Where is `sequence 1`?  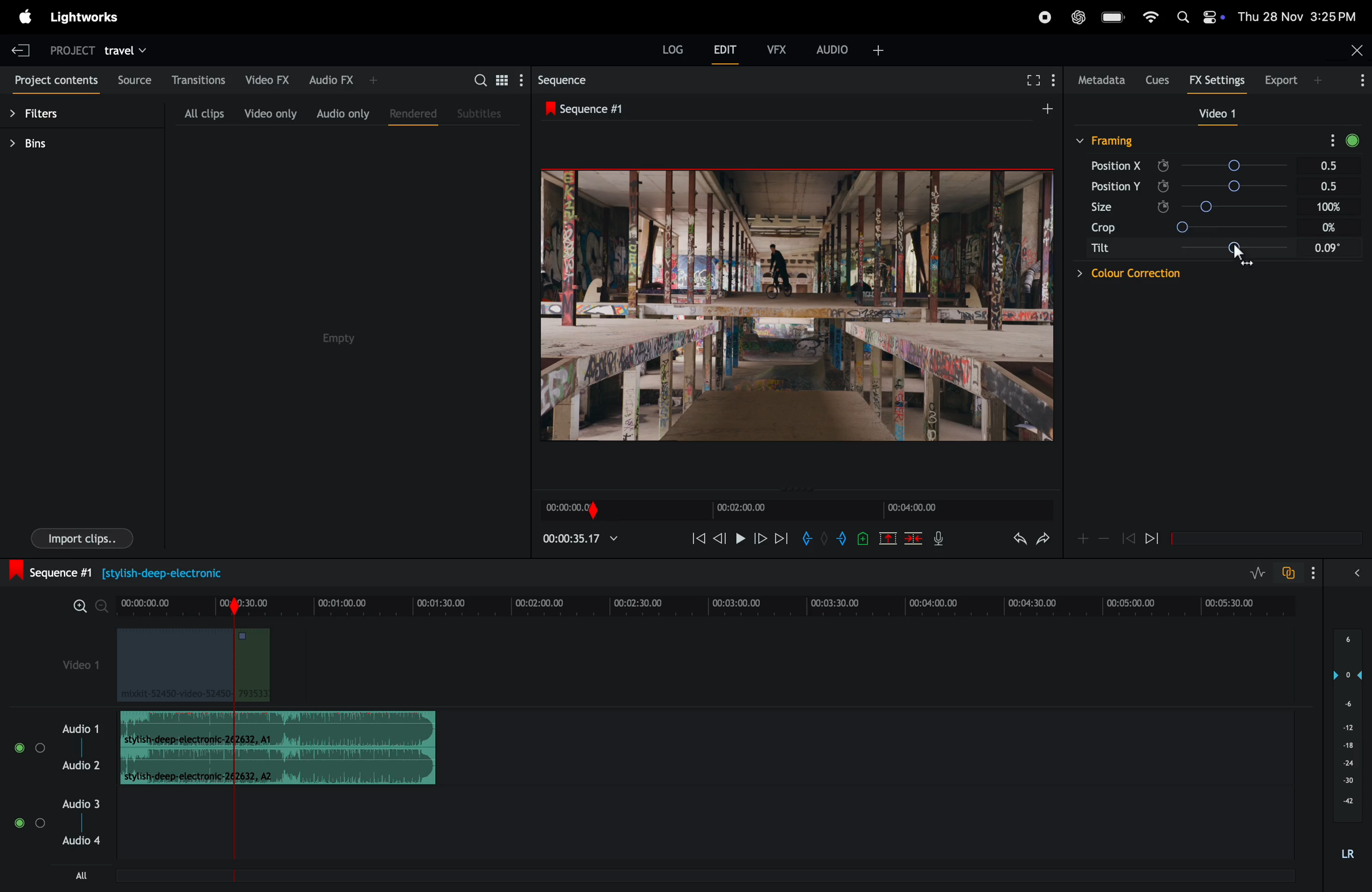 sequence 1 is located at coordinates (598, 108).